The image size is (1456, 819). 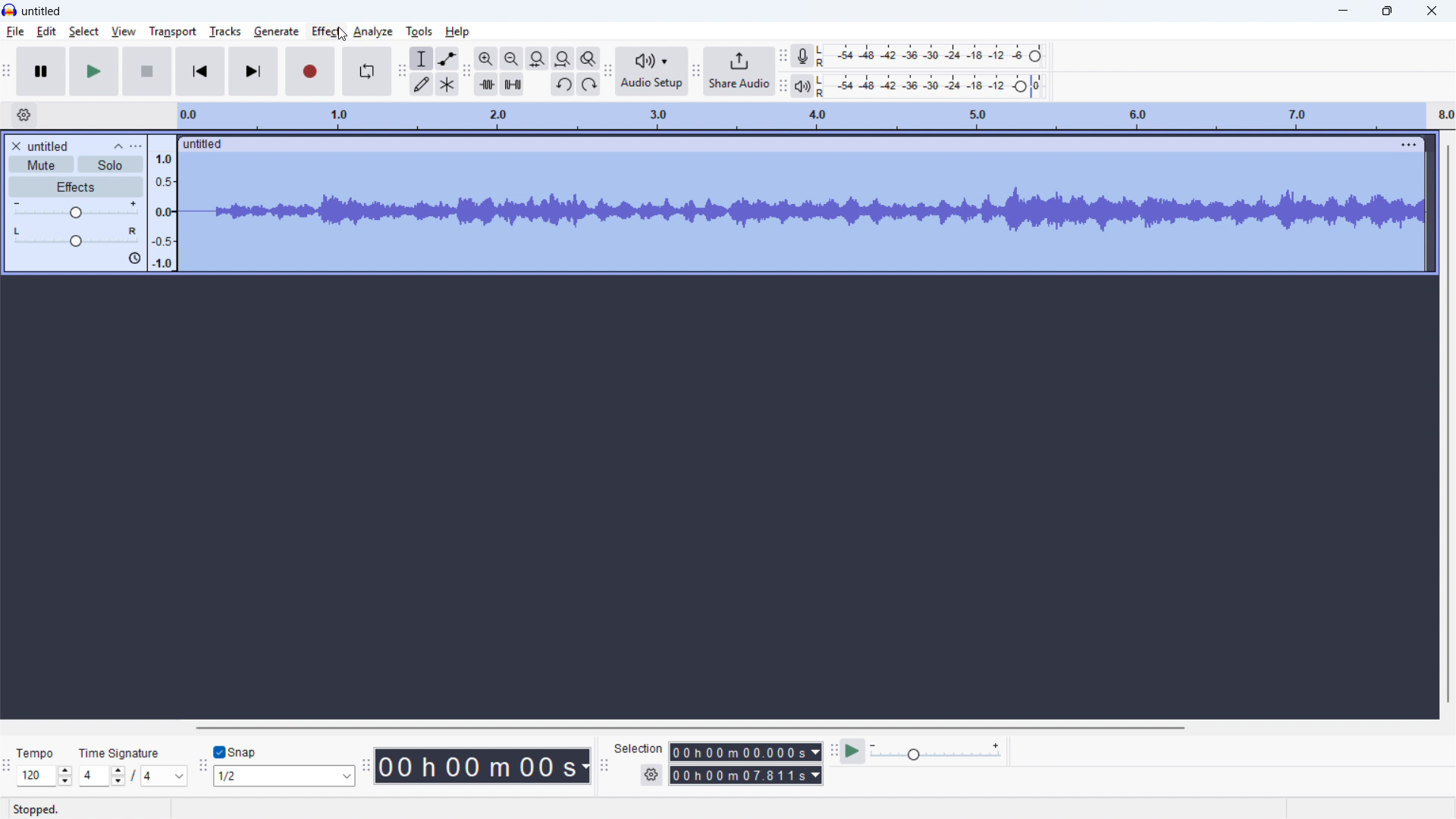 I want to click on project title, so click(x=42, y=11).